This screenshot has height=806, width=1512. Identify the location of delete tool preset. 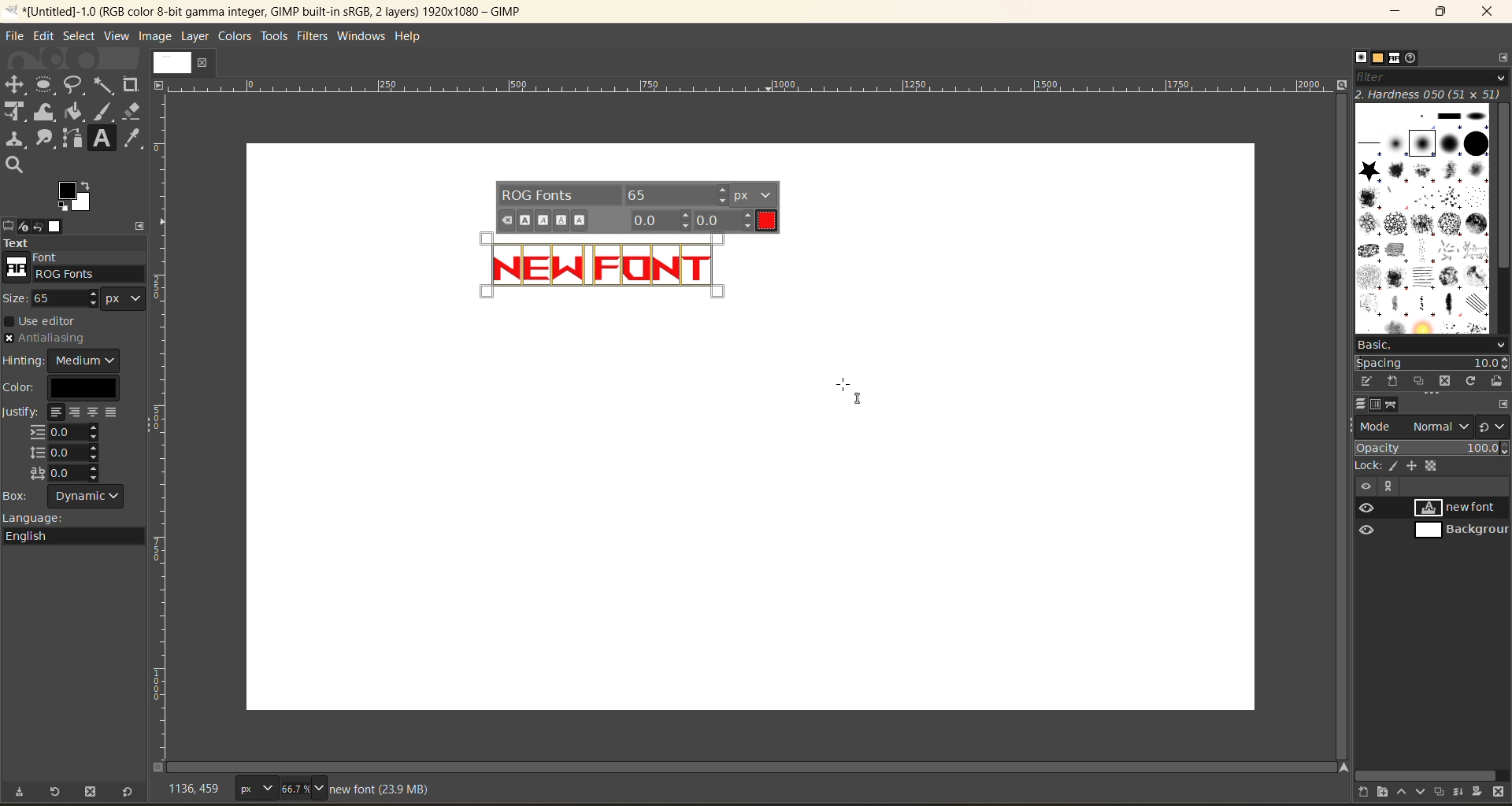
(92, 790).